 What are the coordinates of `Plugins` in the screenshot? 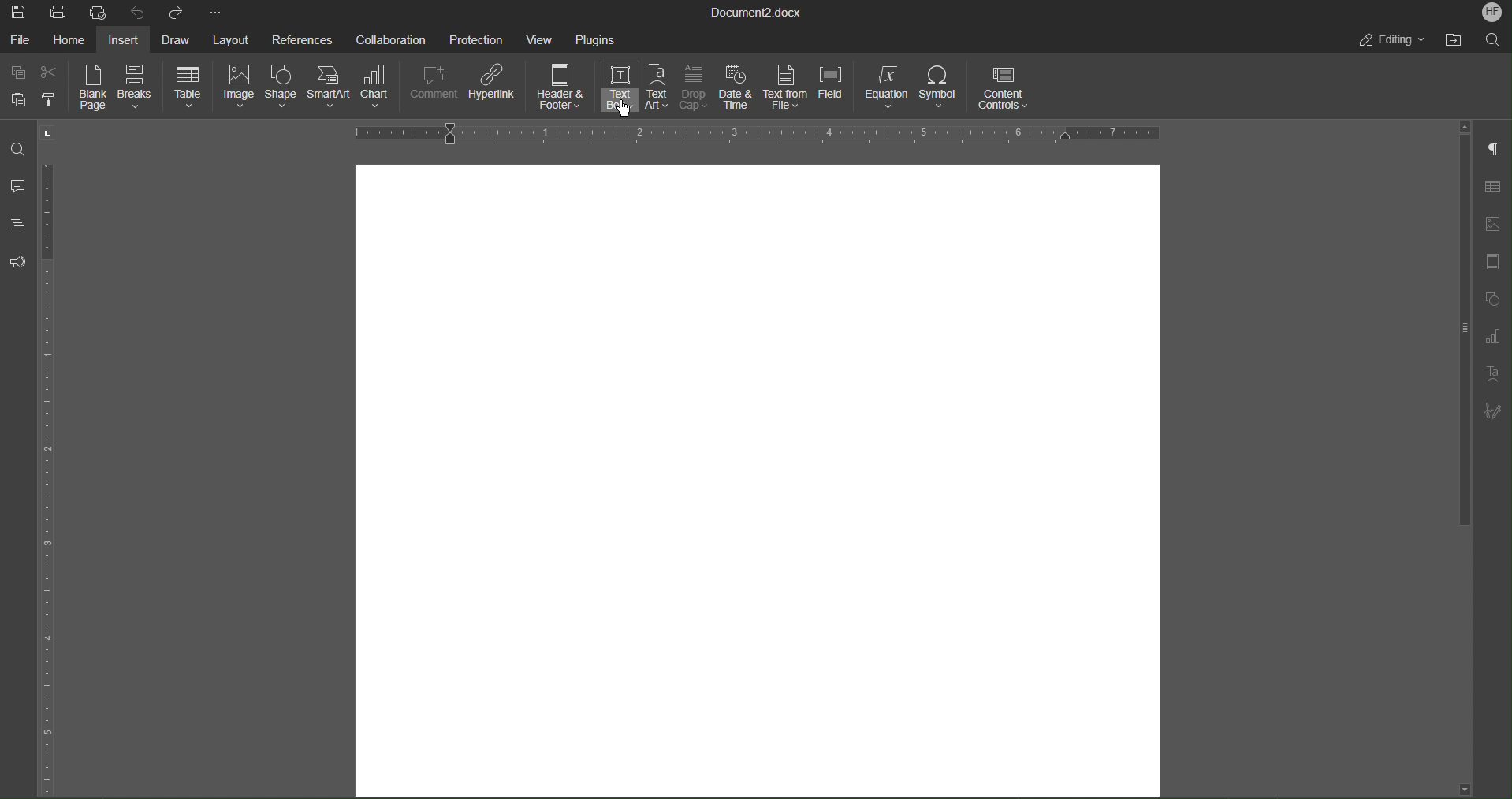 It's located at (596, 38).